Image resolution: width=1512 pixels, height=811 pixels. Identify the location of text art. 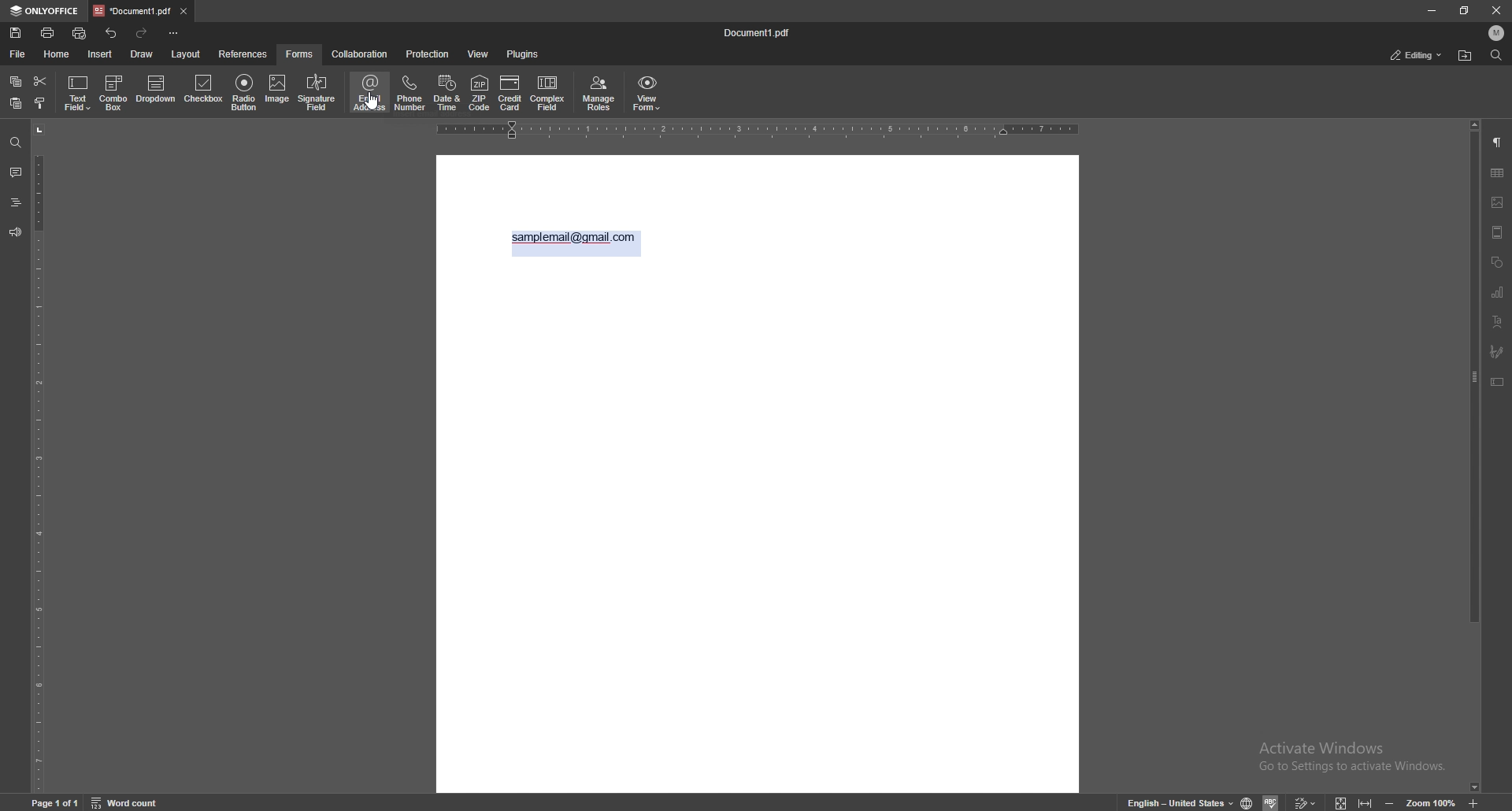
(1498, 322).